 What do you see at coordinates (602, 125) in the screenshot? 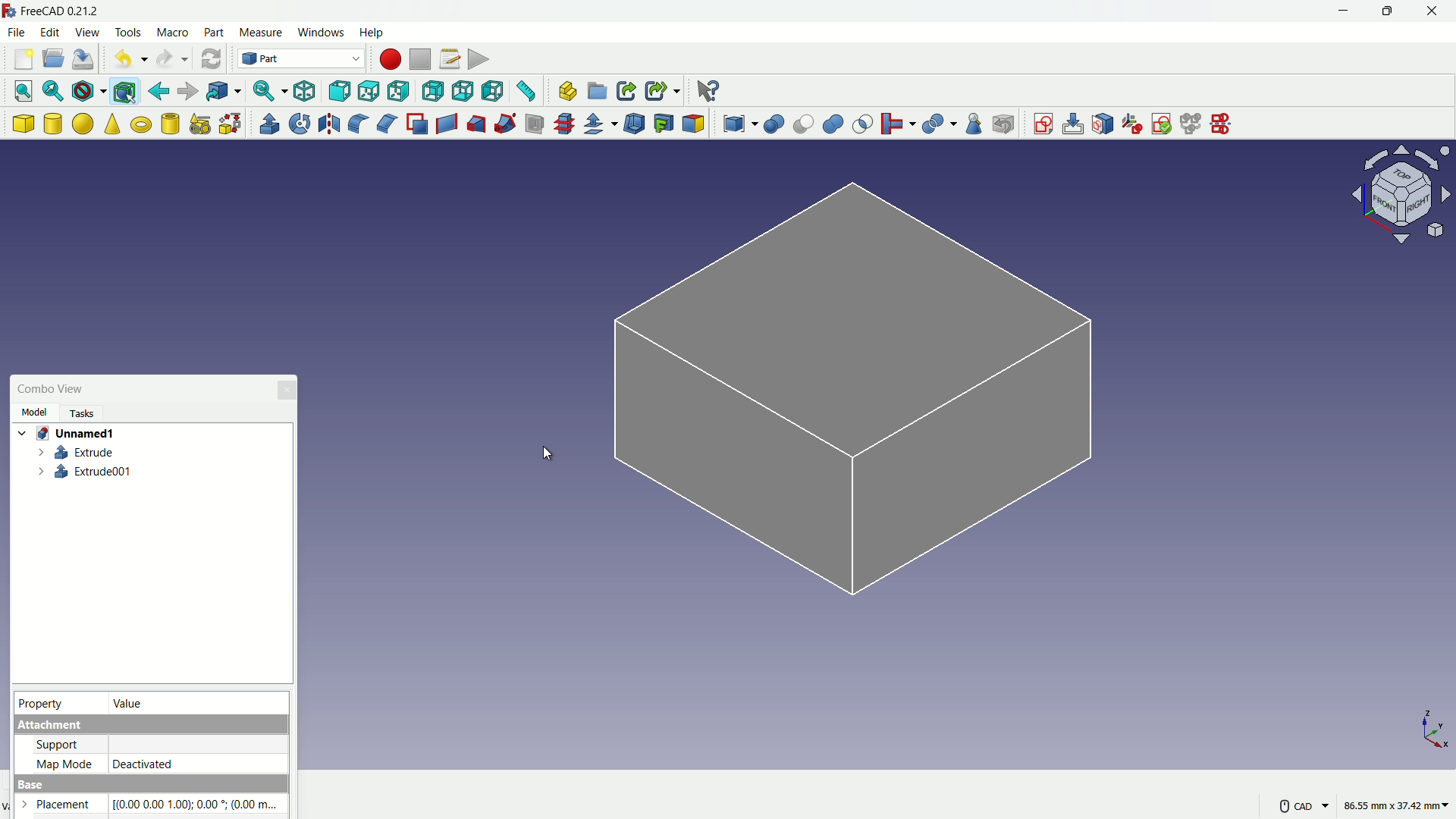
I see `offset` at bounding box center [602, 125].